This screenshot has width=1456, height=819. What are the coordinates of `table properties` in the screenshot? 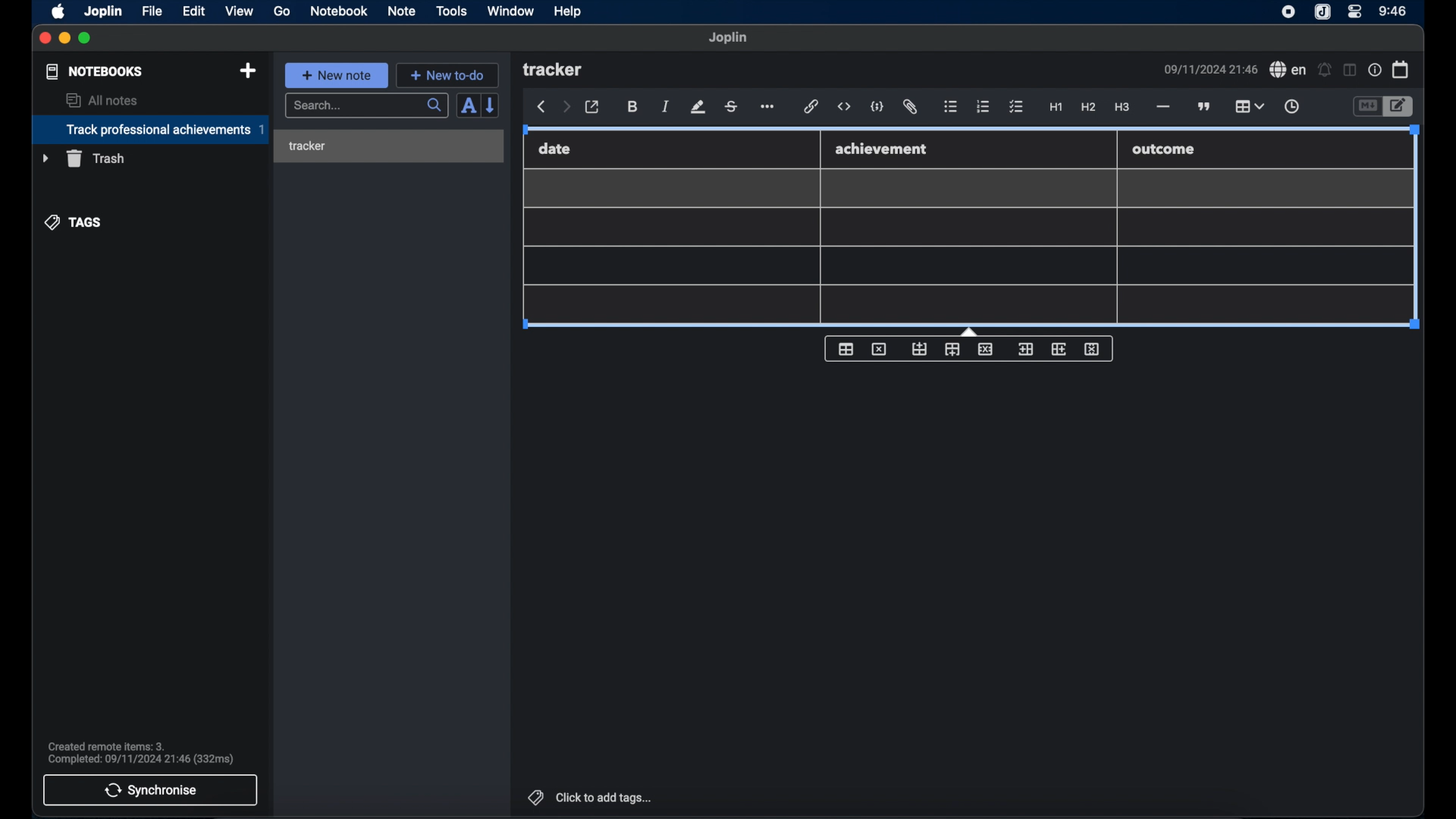 It's located at (846, 350).